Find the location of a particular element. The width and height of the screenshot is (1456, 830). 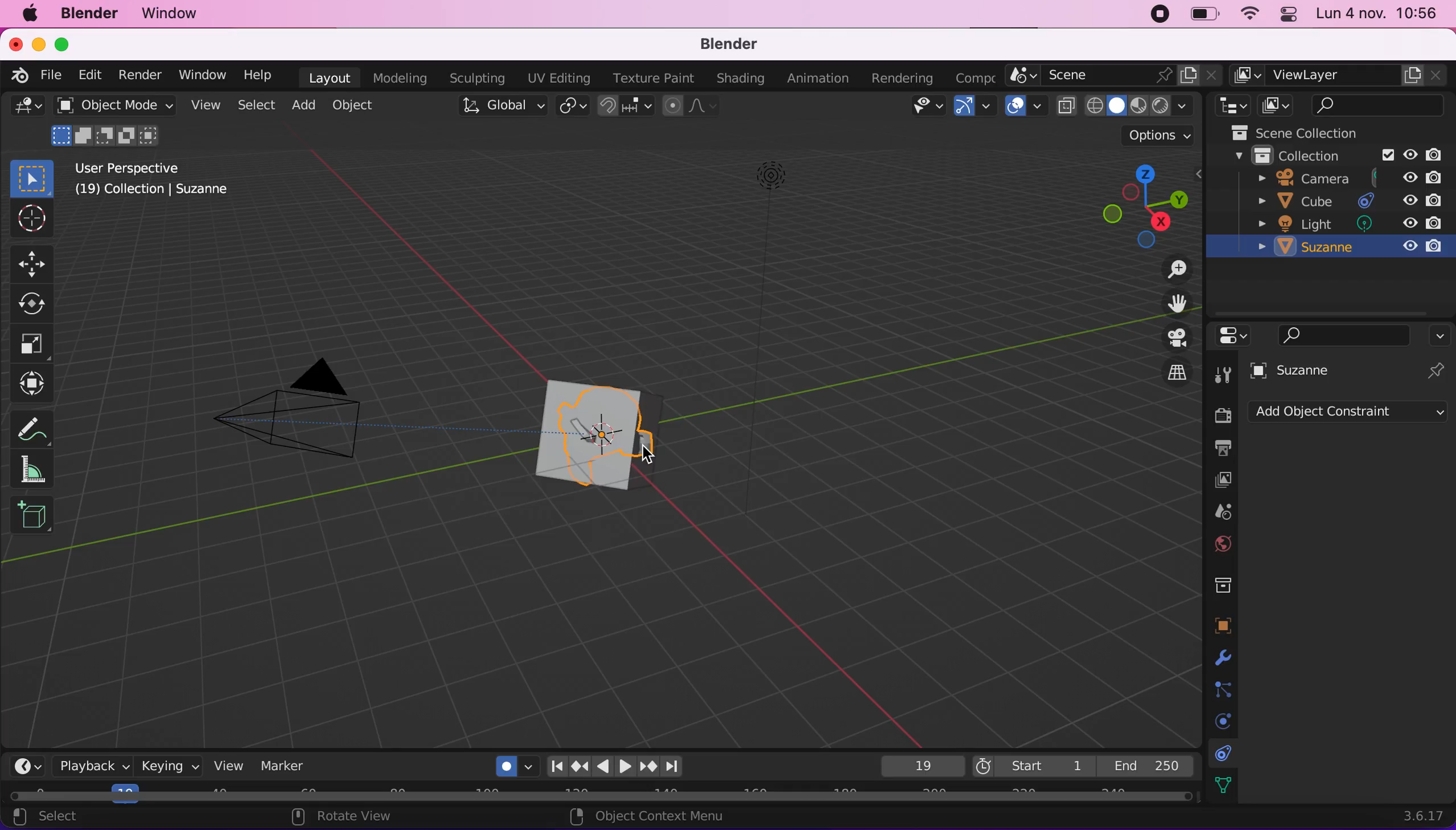

time and date is located at coordinates (1377, 15).